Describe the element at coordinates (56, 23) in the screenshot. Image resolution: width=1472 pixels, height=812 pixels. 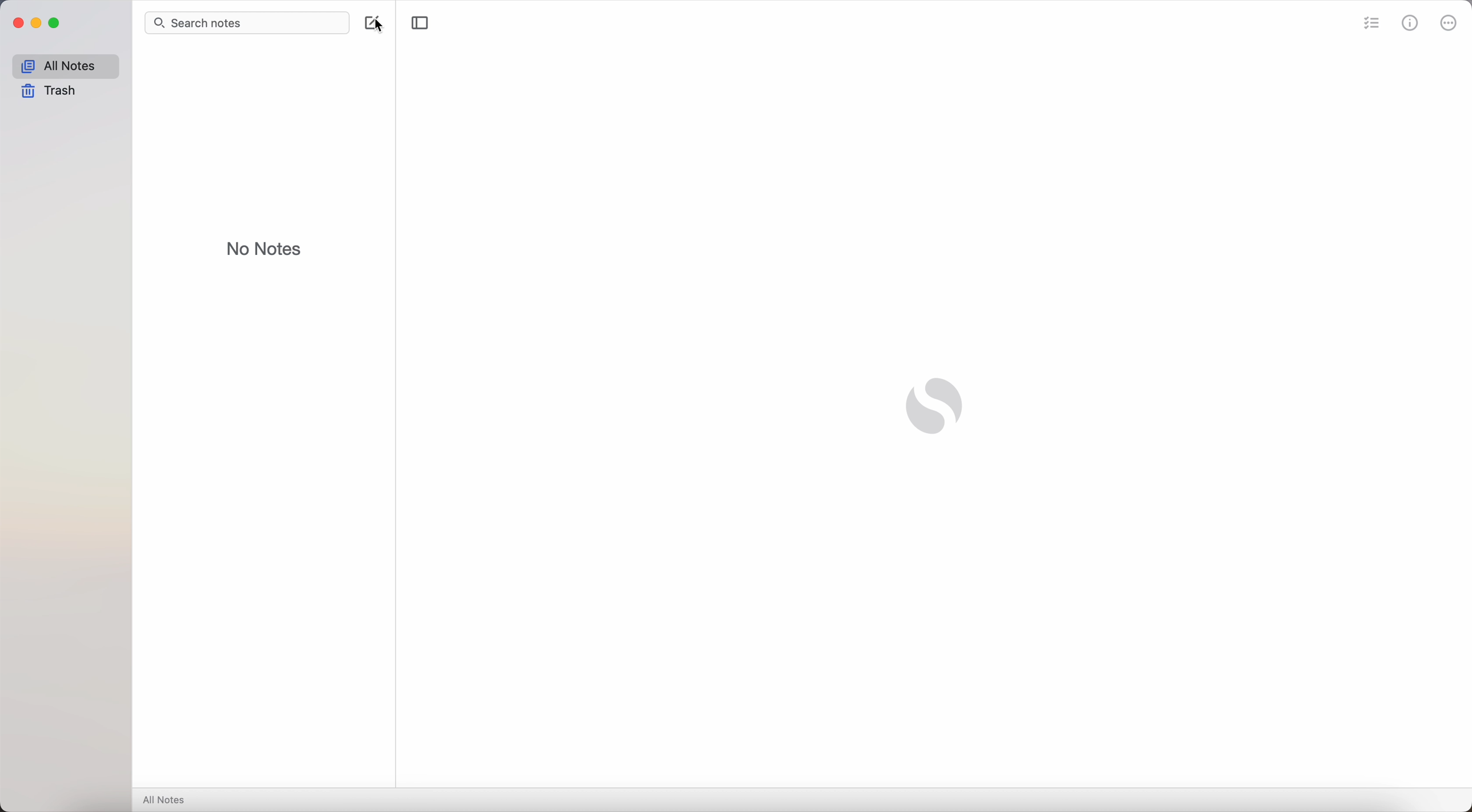
I see `maximize Simplenote` at that location.